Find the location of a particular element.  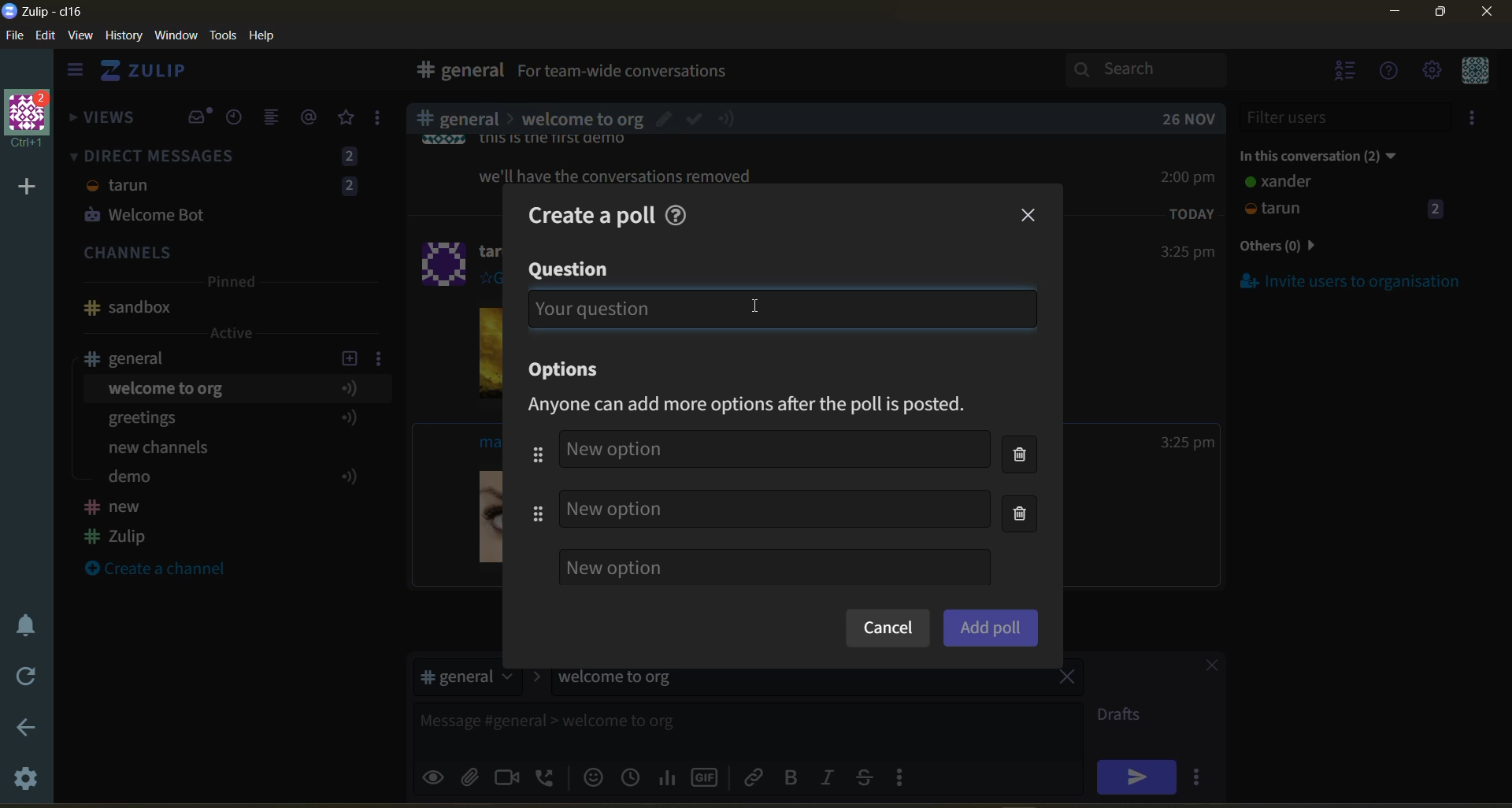

window is located at coordinates (174, 36).